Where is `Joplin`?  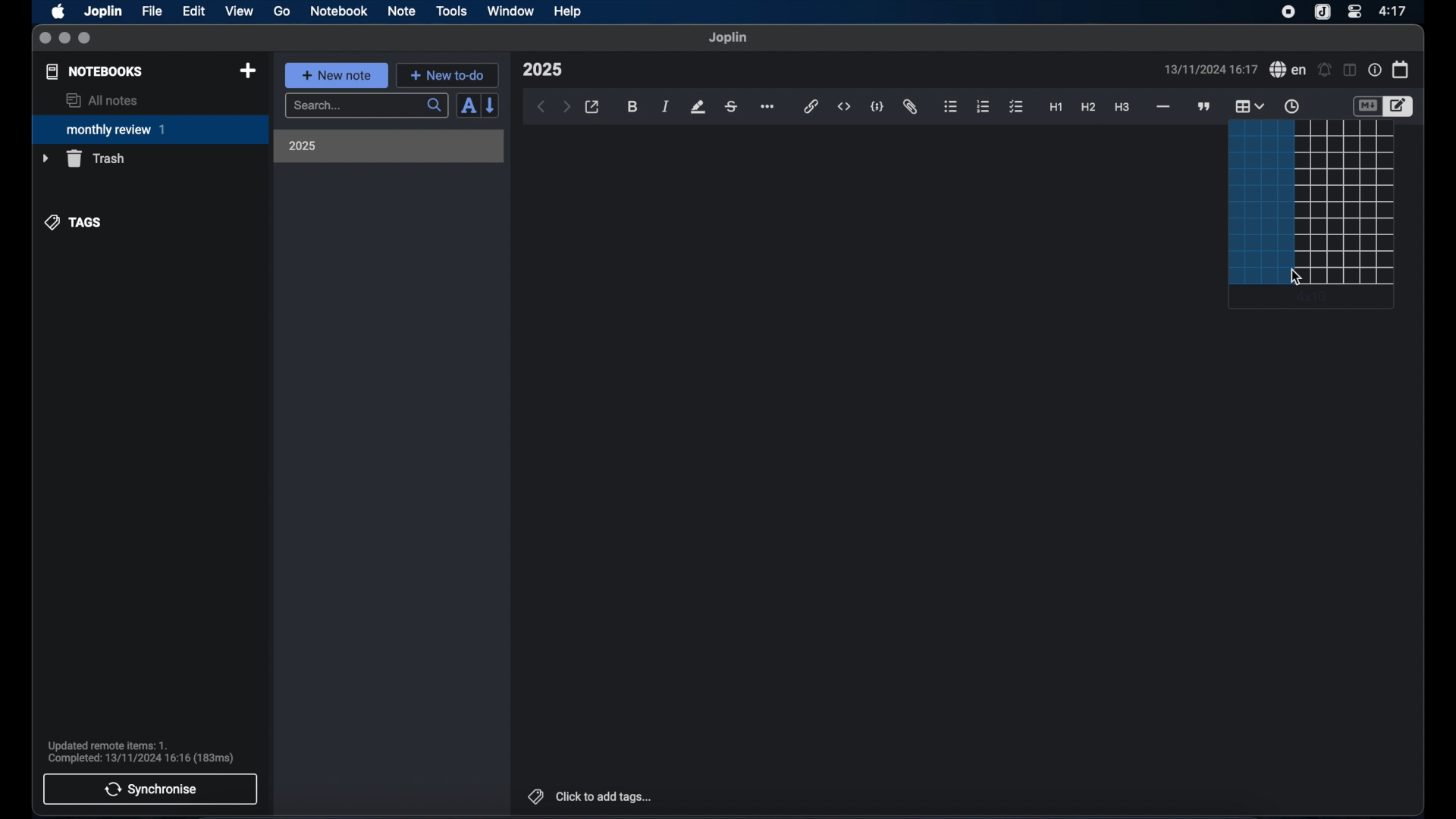
Joplin is located at coordinates (105, 12).